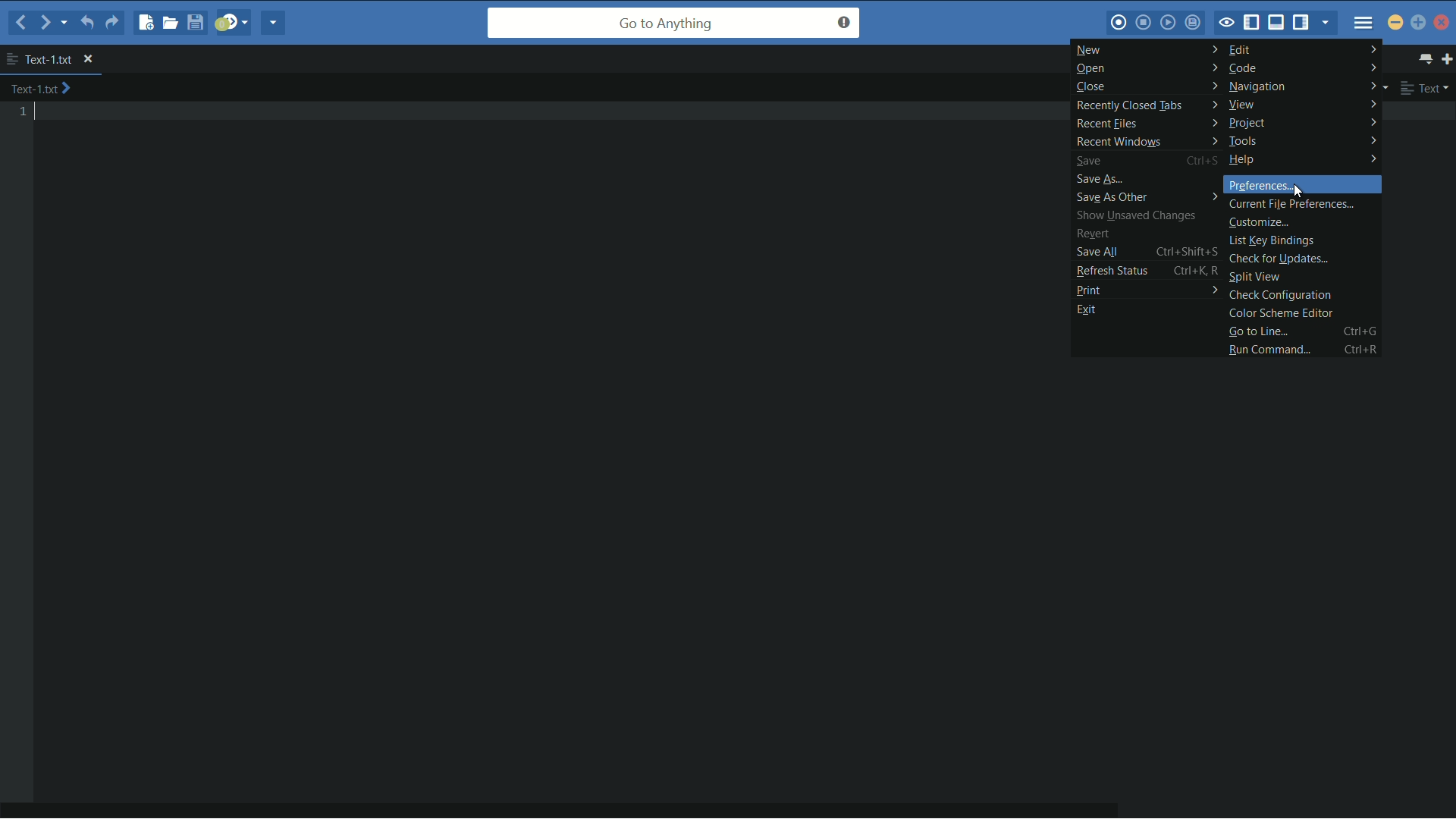 Image resolution: width=1456 pixels, height=819 pixels. I want to click on close file, so click(88, 60).